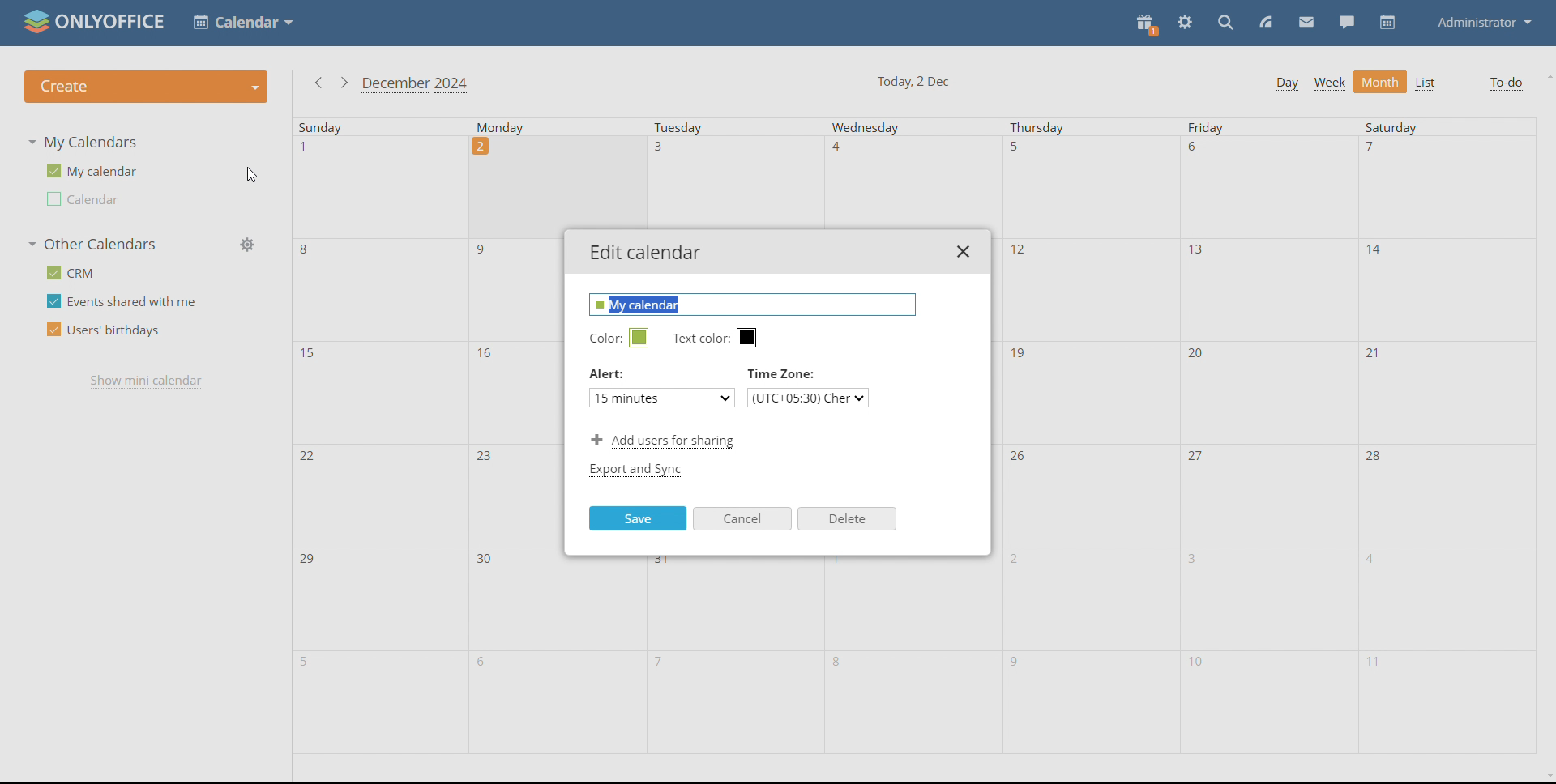 This screenshot has height=784, width=1556. I want to click on current date, so click(914, 83).